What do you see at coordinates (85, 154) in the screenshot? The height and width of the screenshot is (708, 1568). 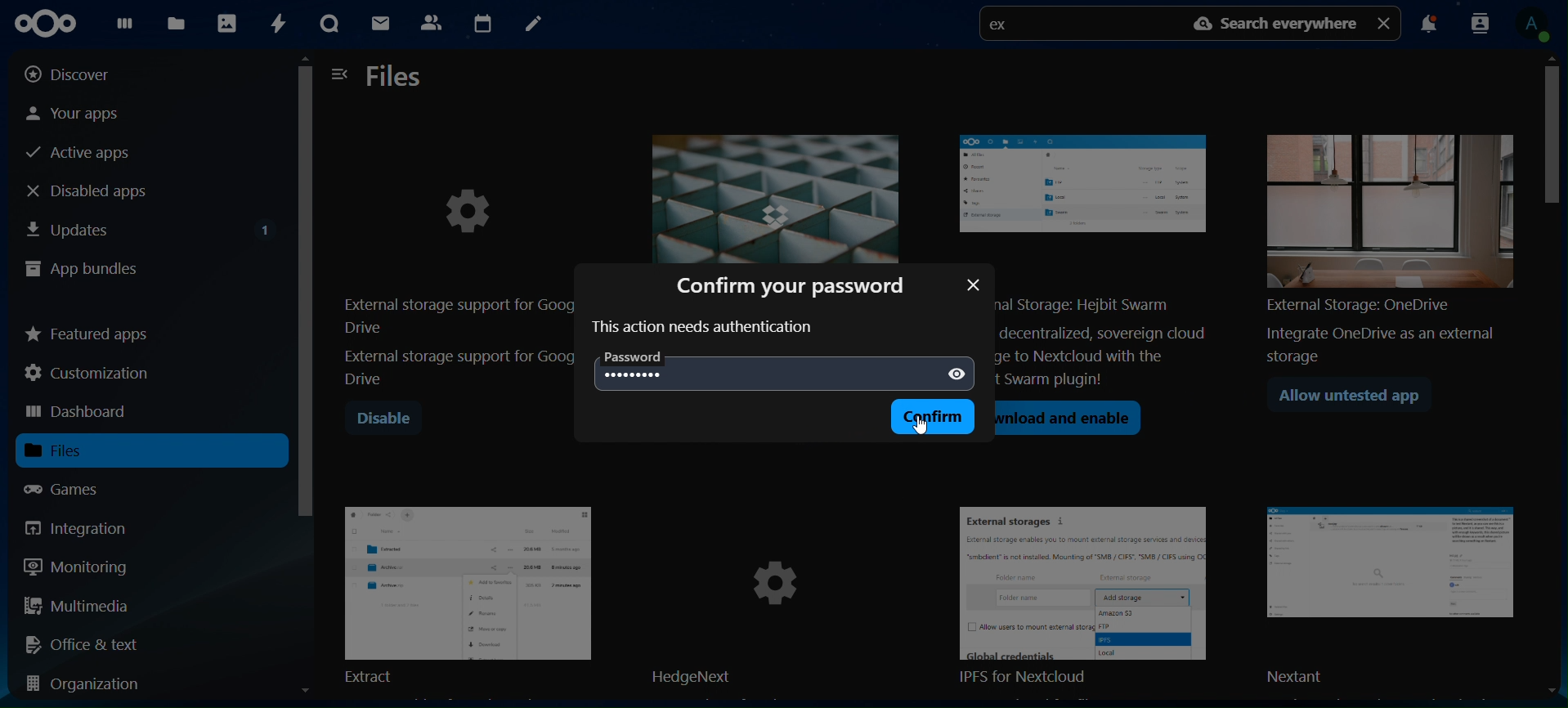 I see `active apps` at bounding box center [85, 154].